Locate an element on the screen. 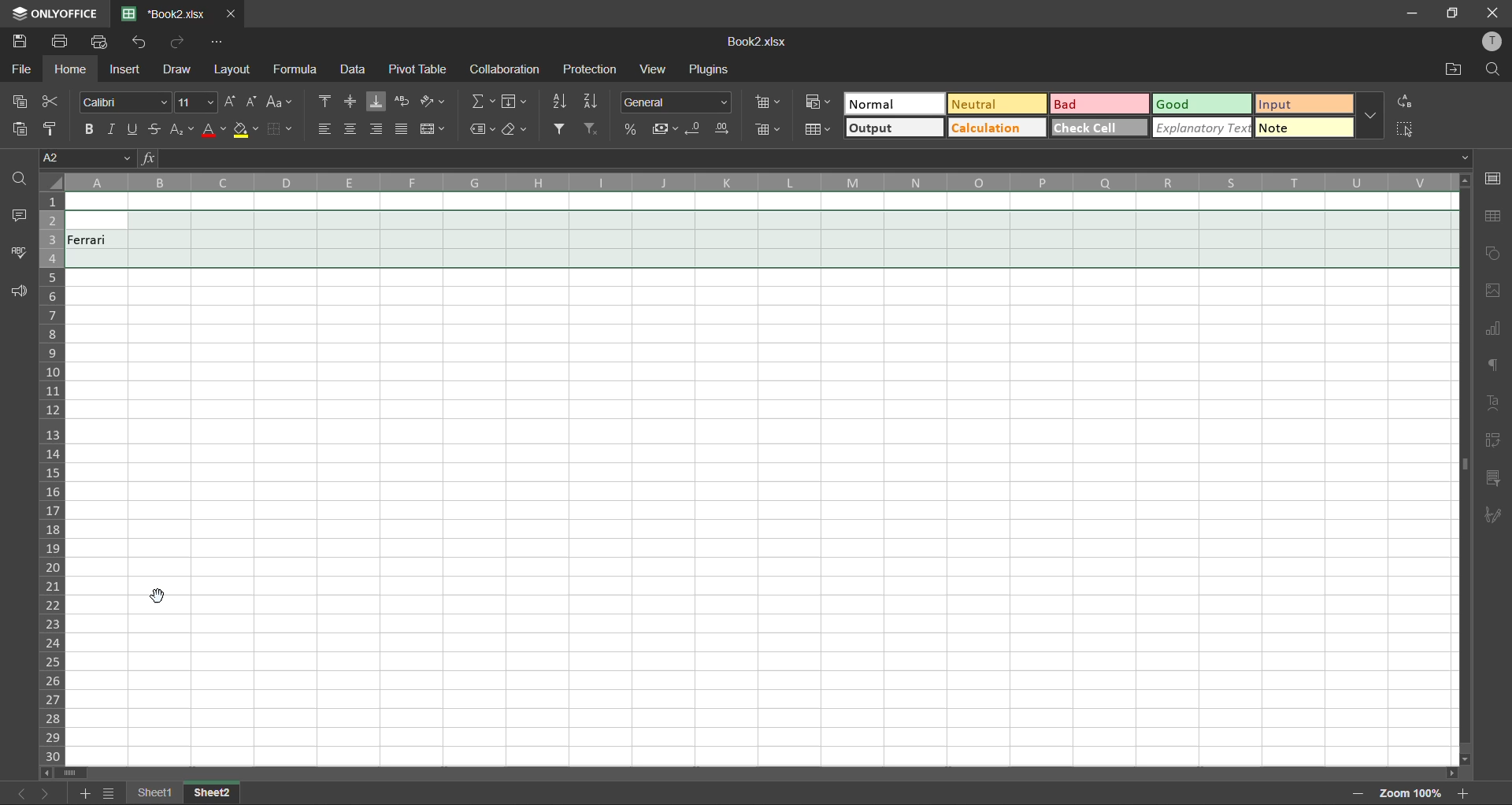 This screenshot has width=1512, height=805. more options is located at coordinates (1368, 116).